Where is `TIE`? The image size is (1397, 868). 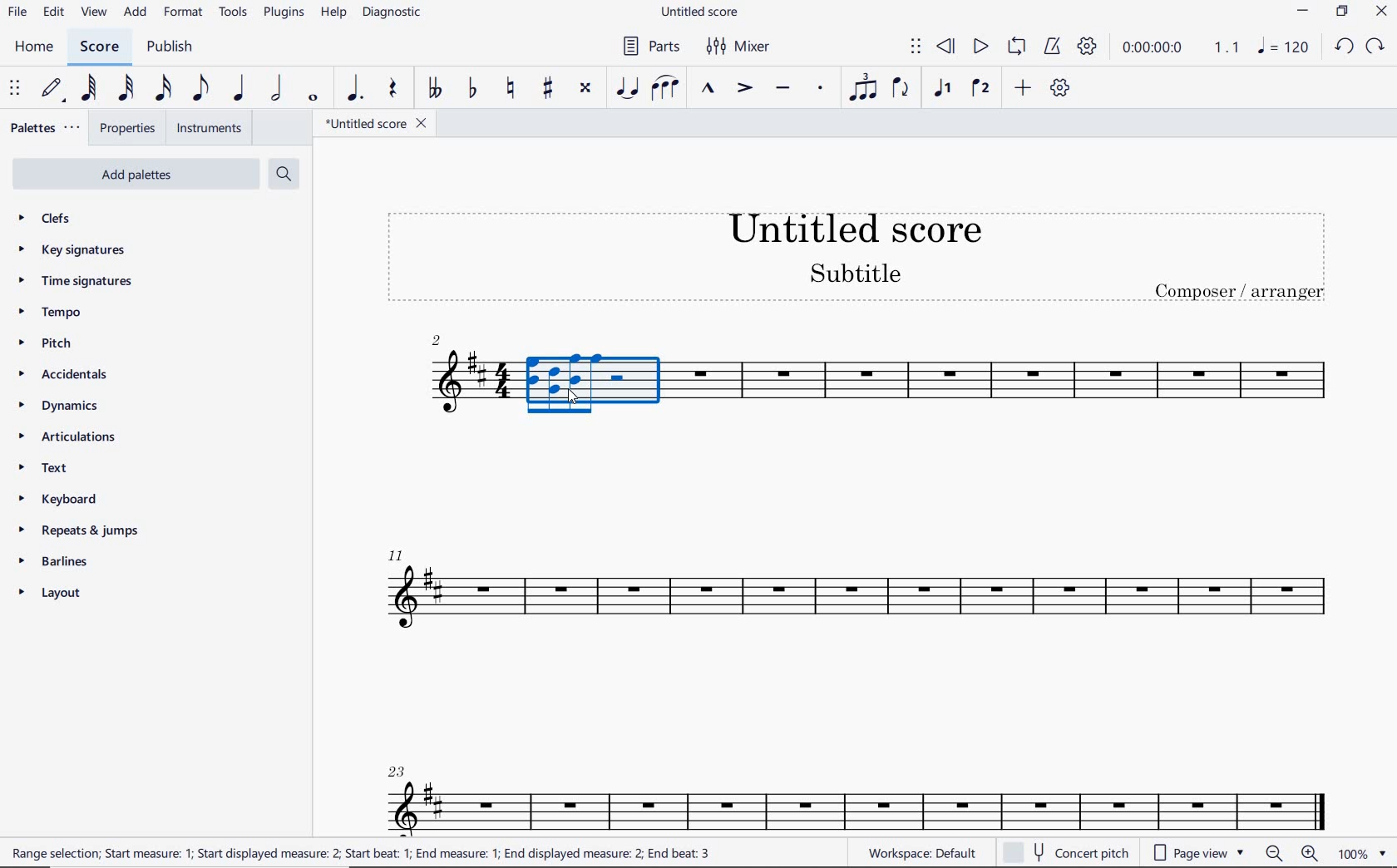
TIE is located at coordinates (627, 87).